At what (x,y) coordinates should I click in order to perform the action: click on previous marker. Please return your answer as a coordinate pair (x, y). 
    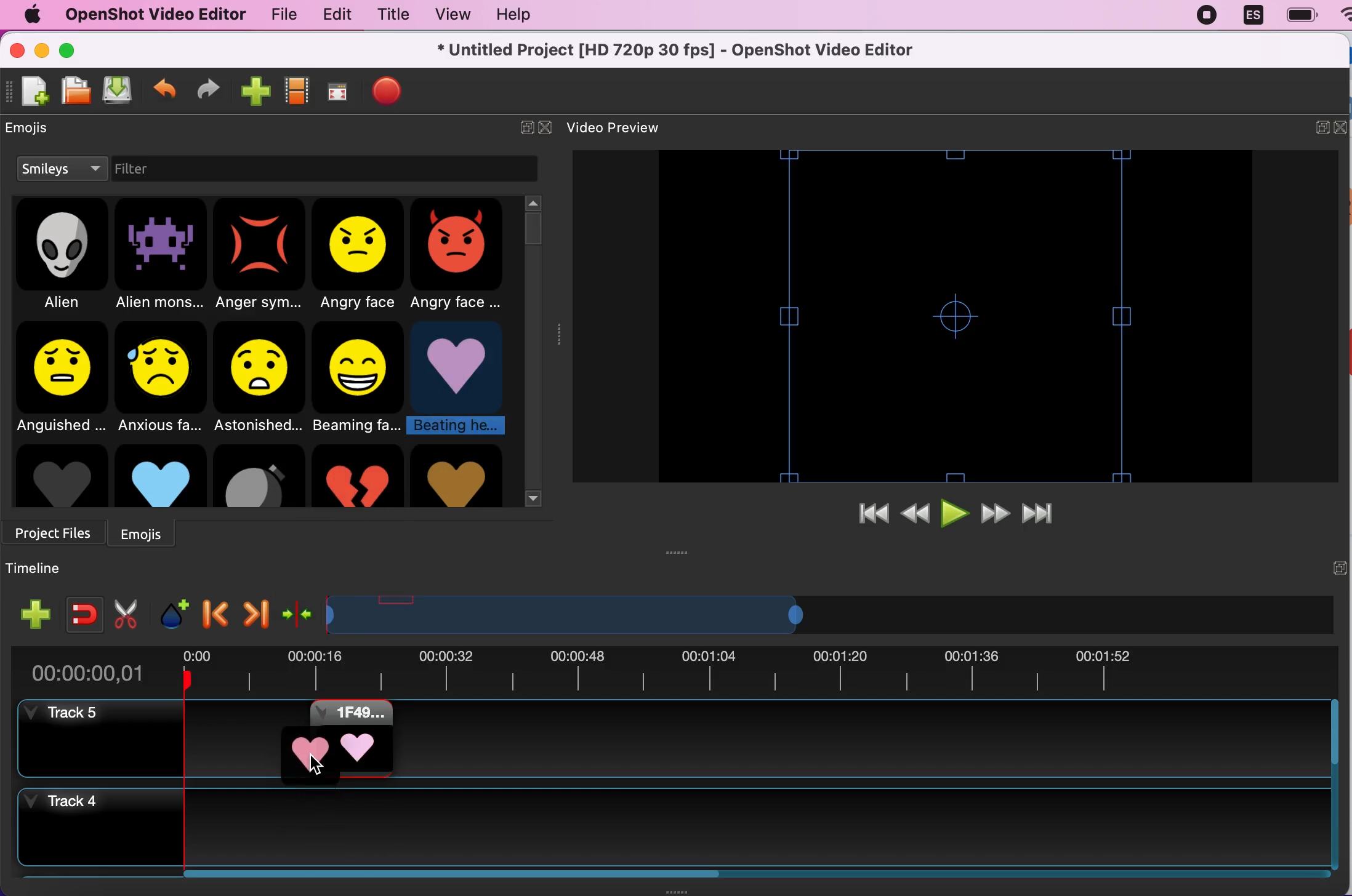
    Looking at the image, I should click on (216, 610).